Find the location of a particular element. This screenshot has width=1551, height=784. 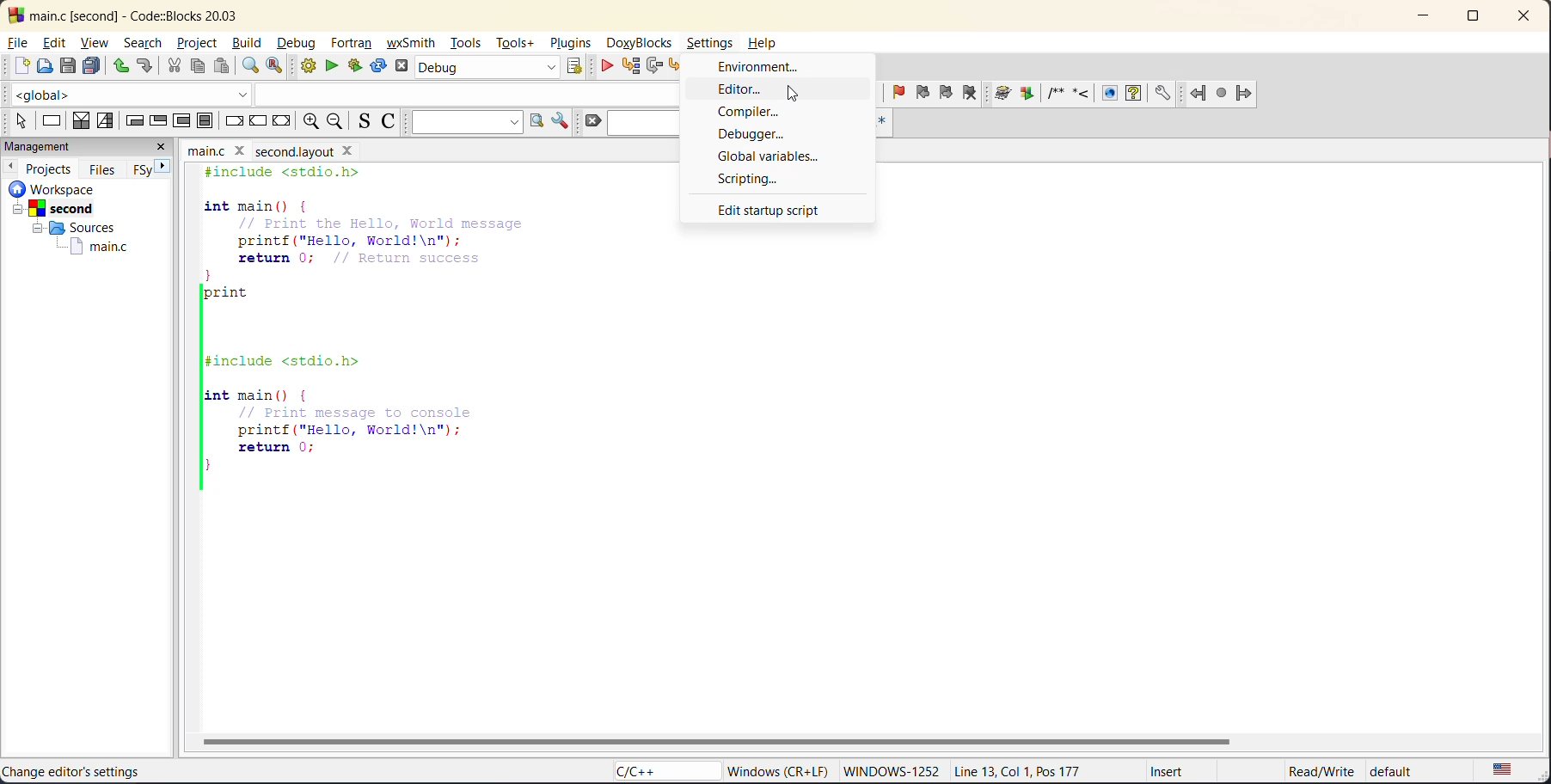

build is located at coordinates (310, 68).